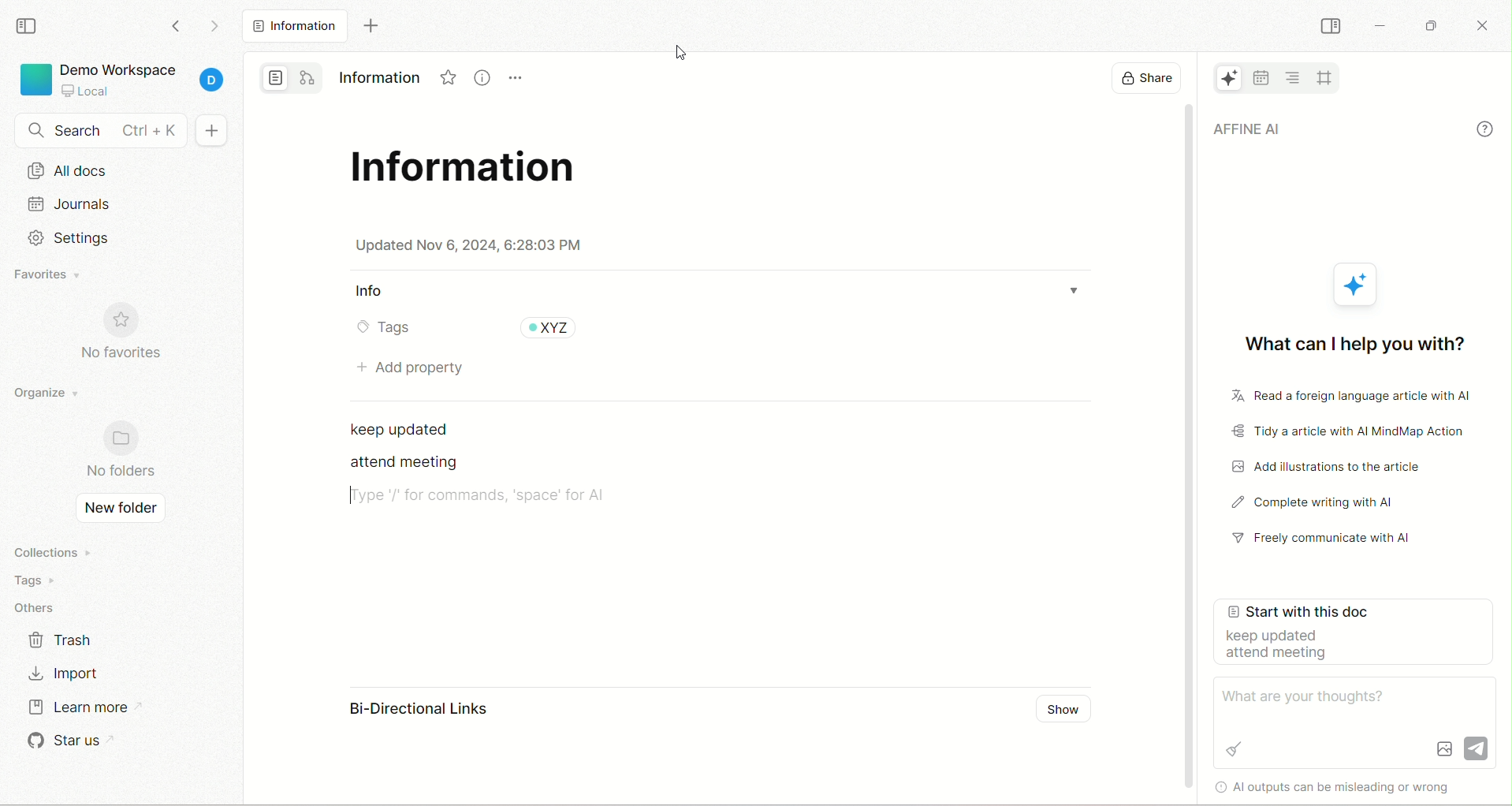 This screenshot has width=1512, height=806. I want to click on all docs, so click(292, 26).